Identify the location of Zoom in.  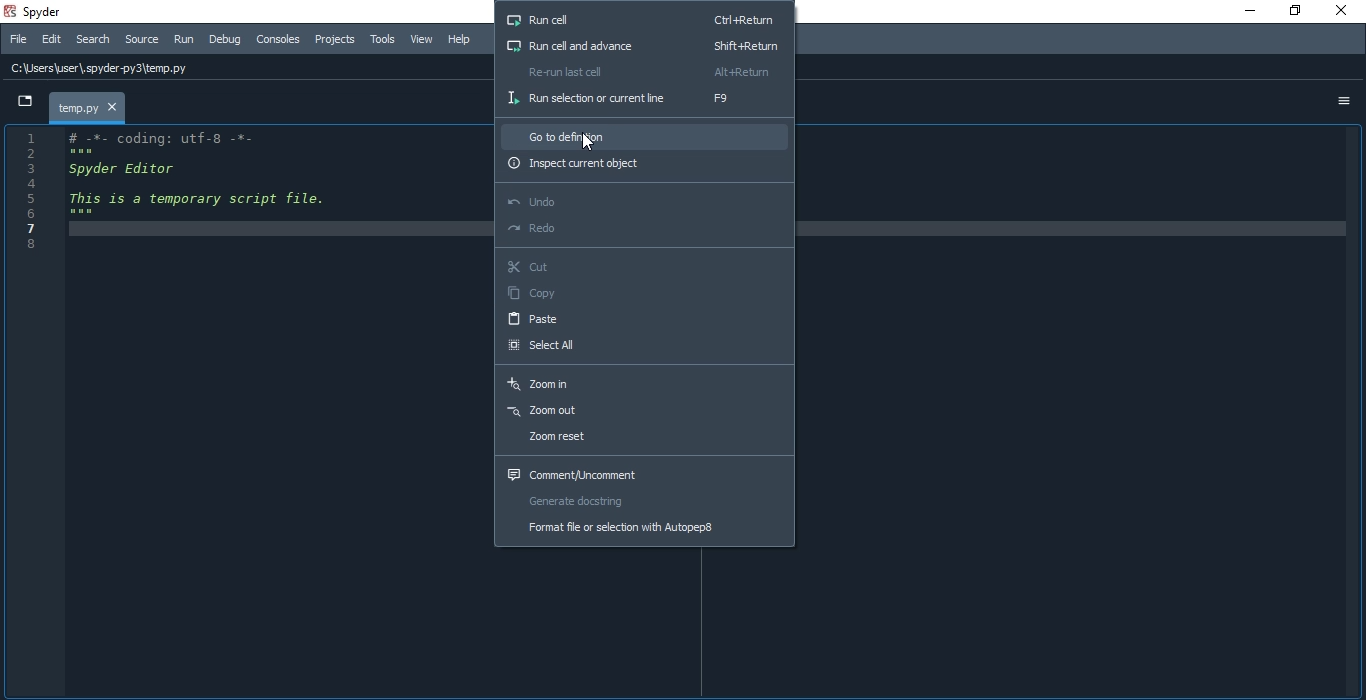
(647, 384).